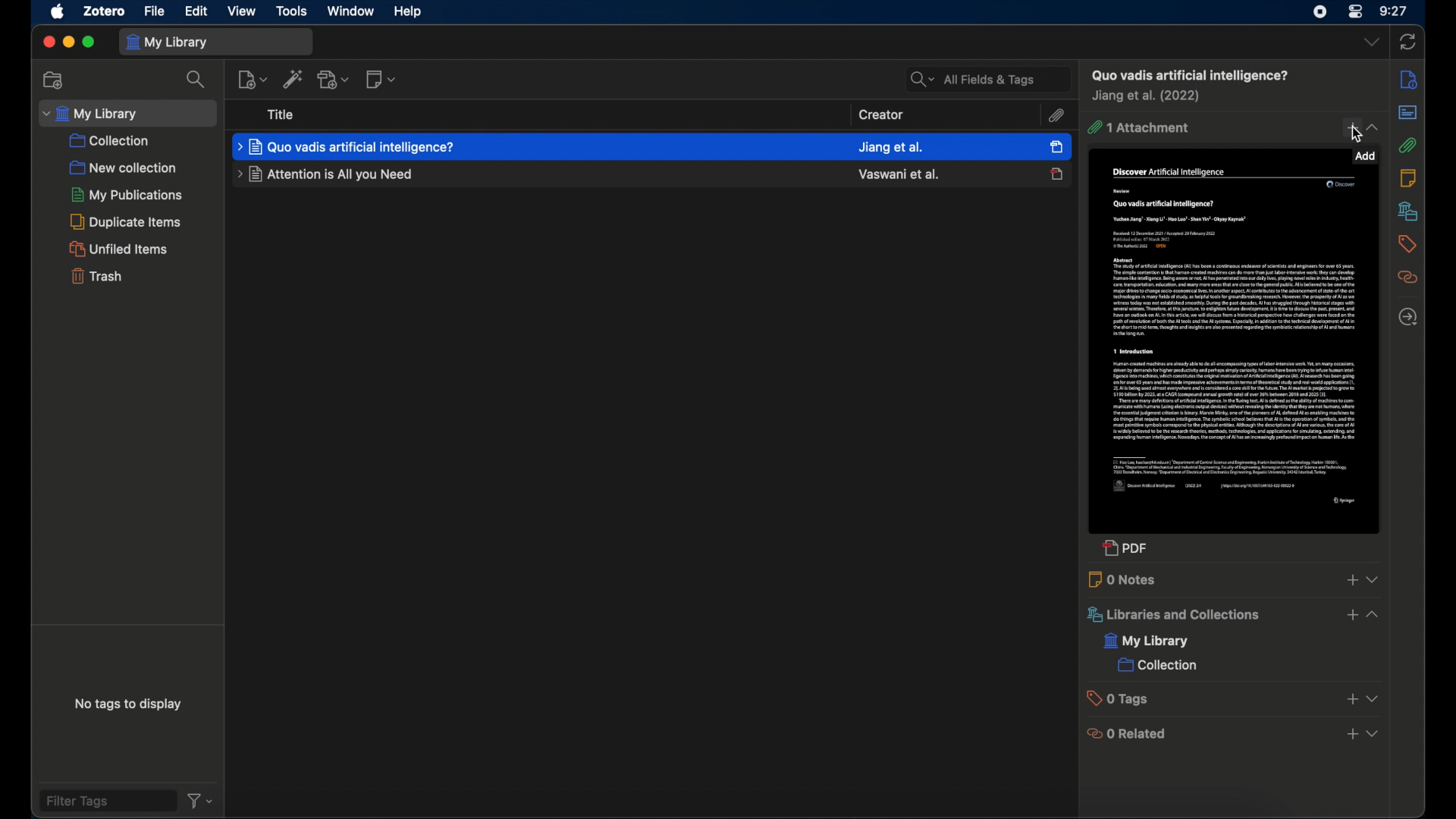 The height and width of the screenshot is (819, 1456). What do you see at coordinates (155, 11) in the screenshot?
I see `file` at bounding box center [155, 11].